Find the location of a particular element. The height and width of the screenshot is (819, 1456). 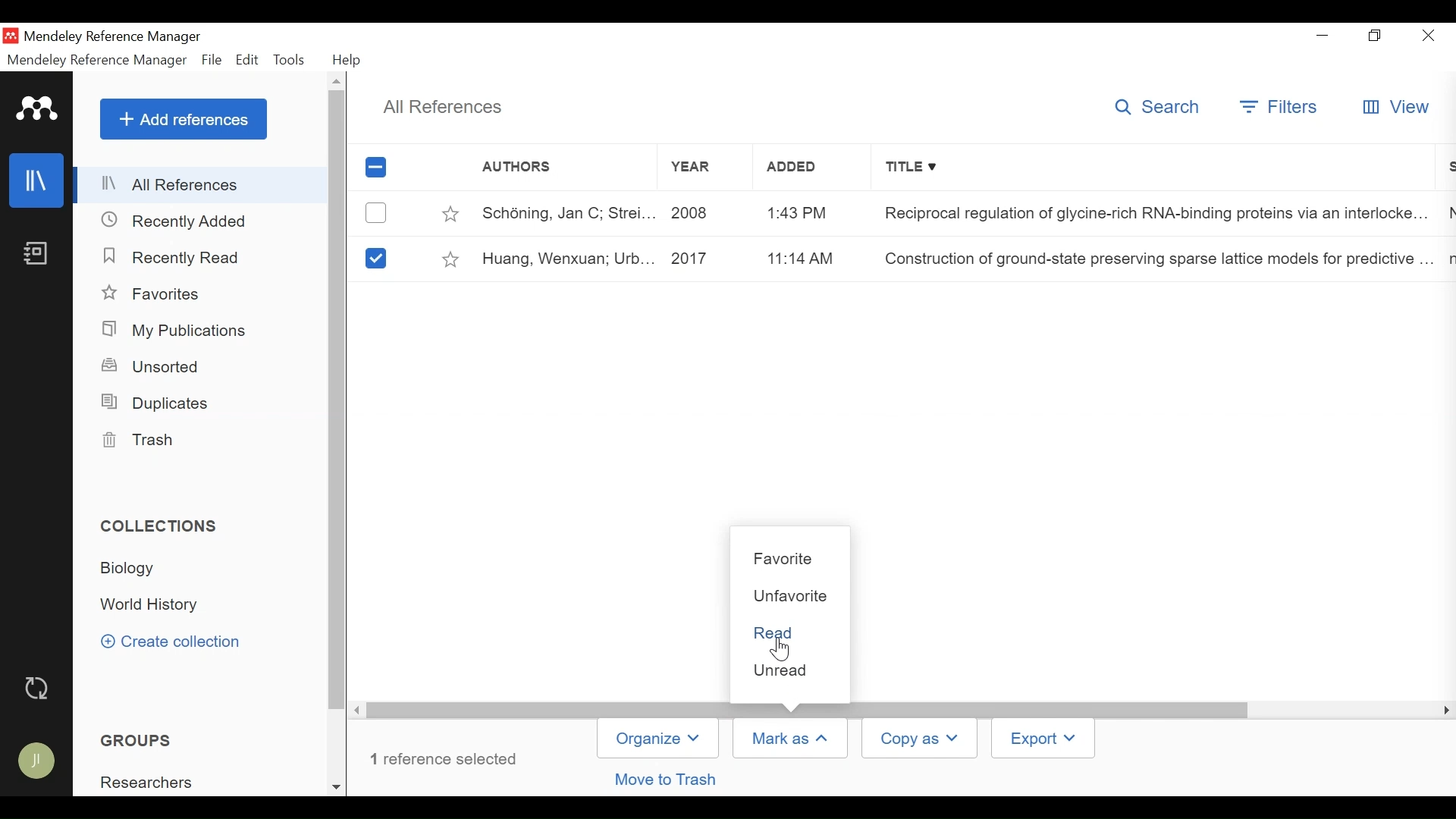

Construction of ground-state preserving sparse lattice models for predictive ... is located at coordinates (1150, 259).